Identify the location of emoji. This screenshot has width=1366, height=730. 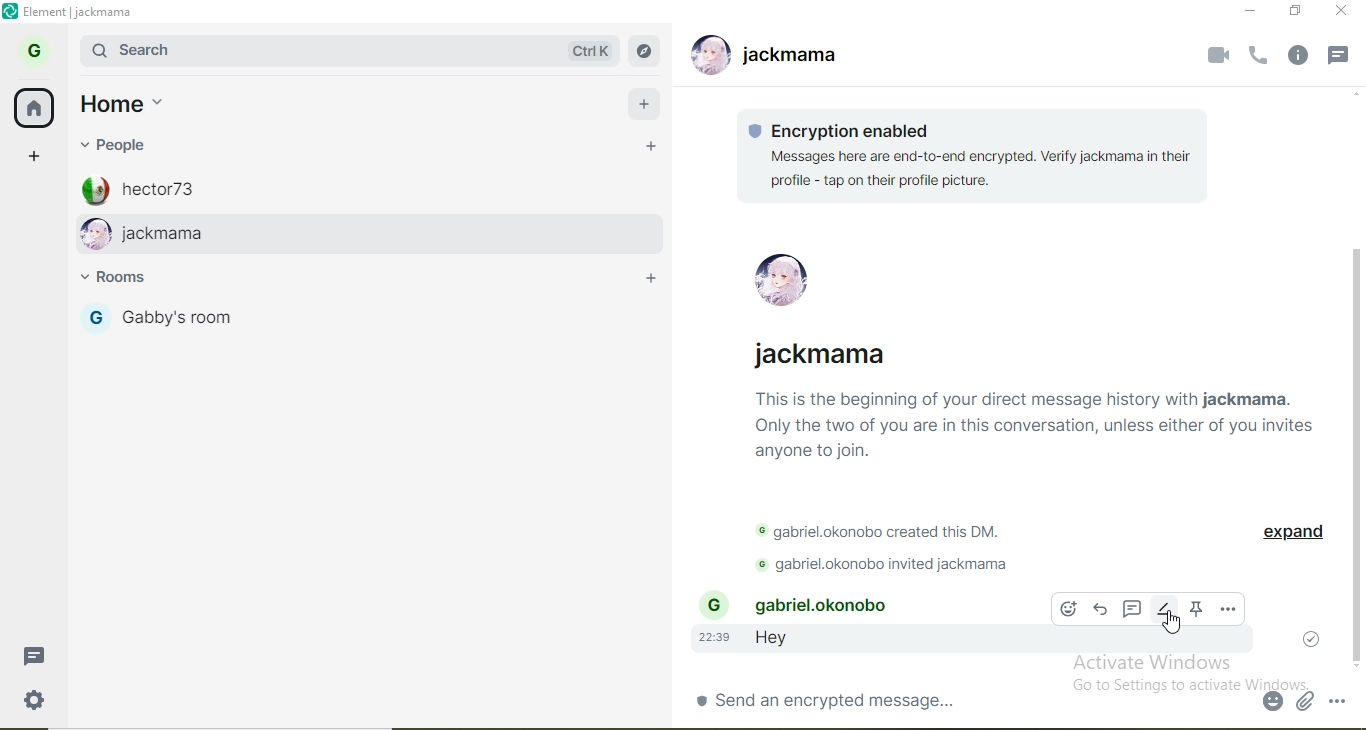
(1067, 608).